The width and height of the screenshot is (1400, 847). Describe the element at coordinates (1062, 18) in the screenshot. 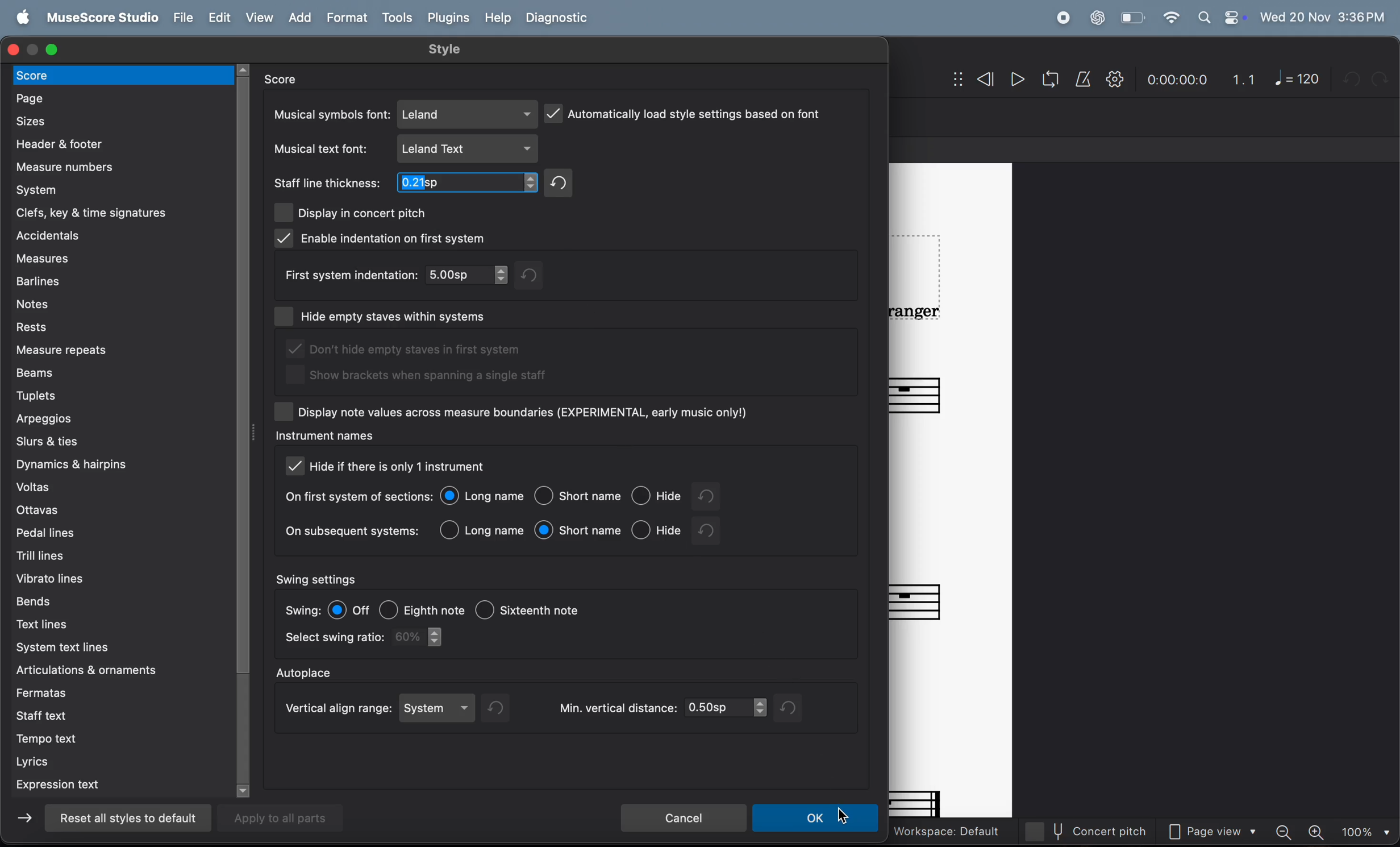

I see `record` at that location.